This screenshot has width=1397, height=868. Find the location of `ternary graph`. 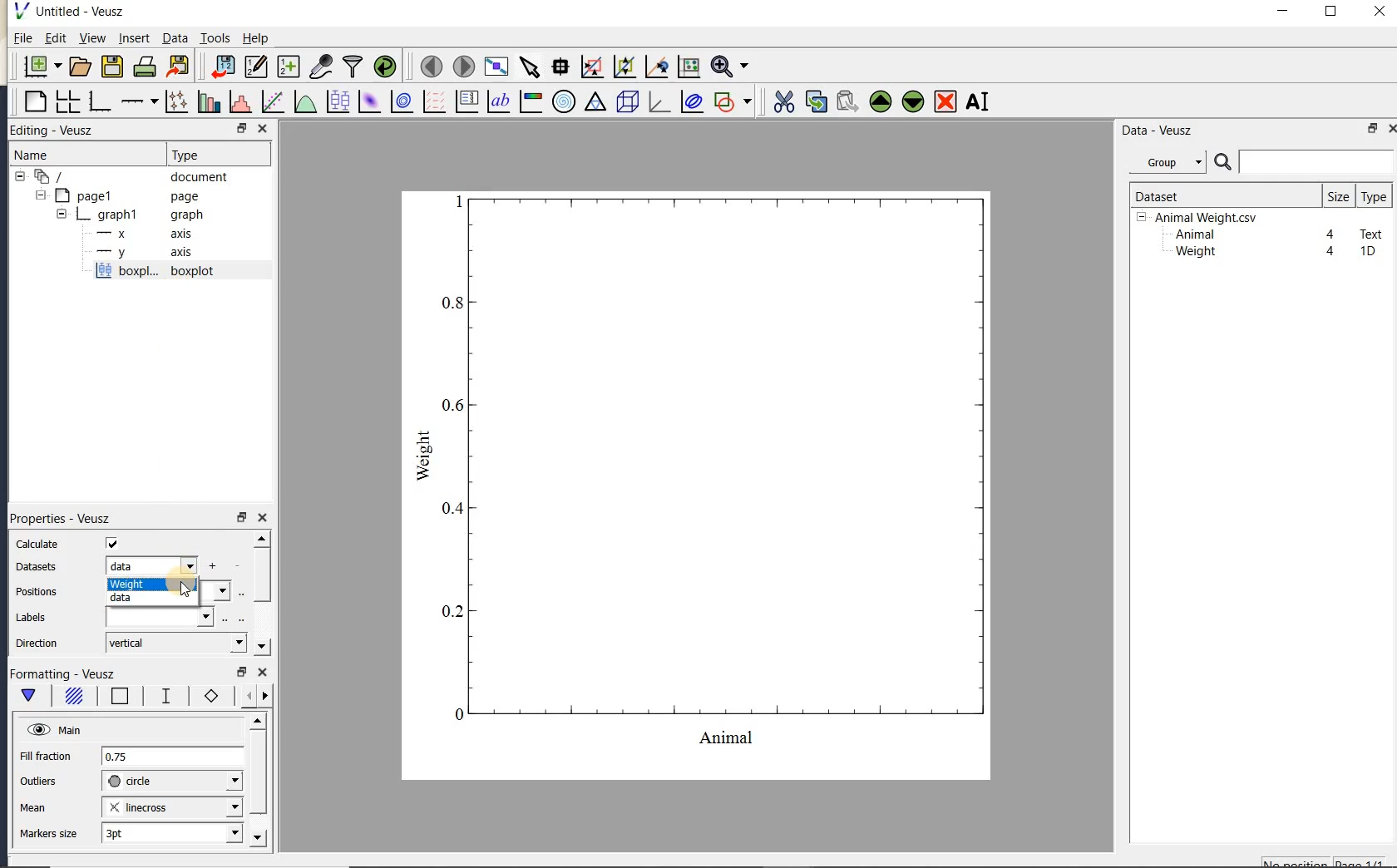

ternary graph is located at coordinates (595, 104).